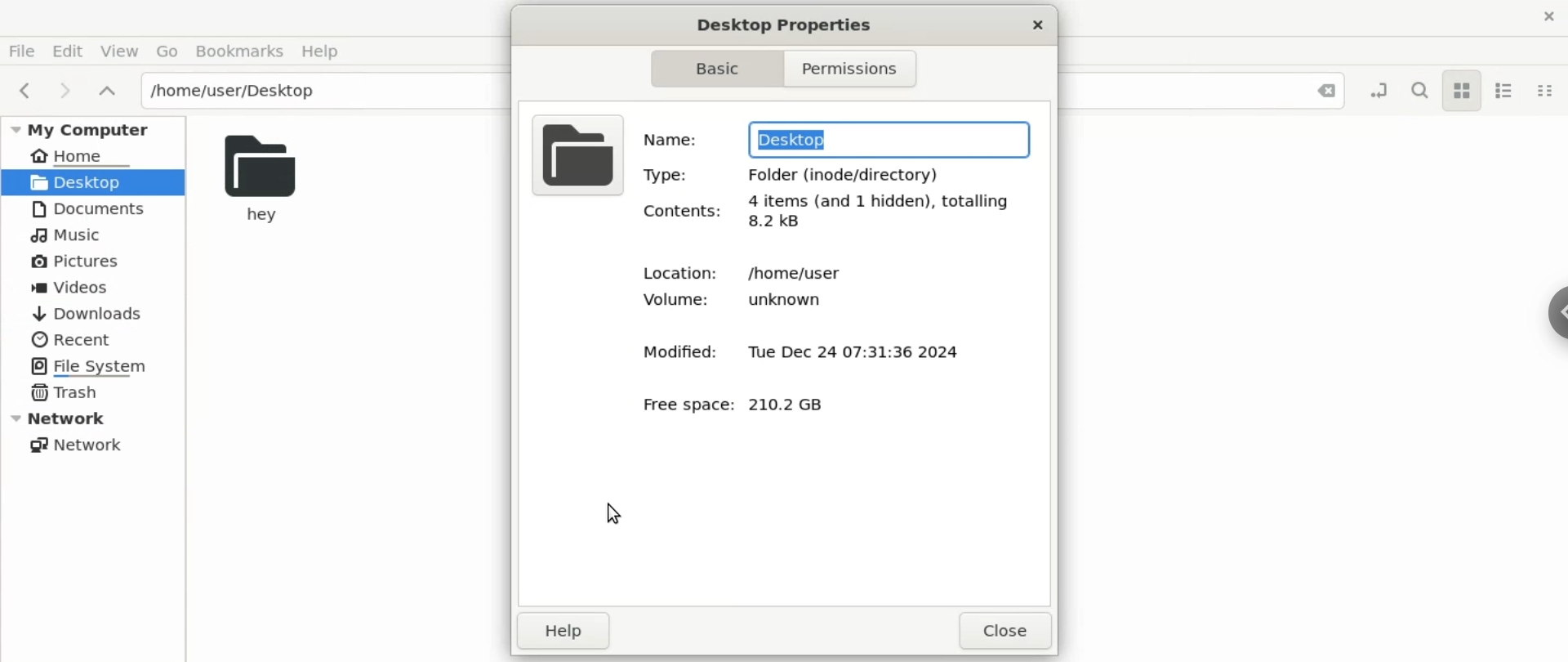 The image size is (1568, 662). Describe the element at coordinates (782, 25) in the screenshot. I see `desktop properties` at that location.